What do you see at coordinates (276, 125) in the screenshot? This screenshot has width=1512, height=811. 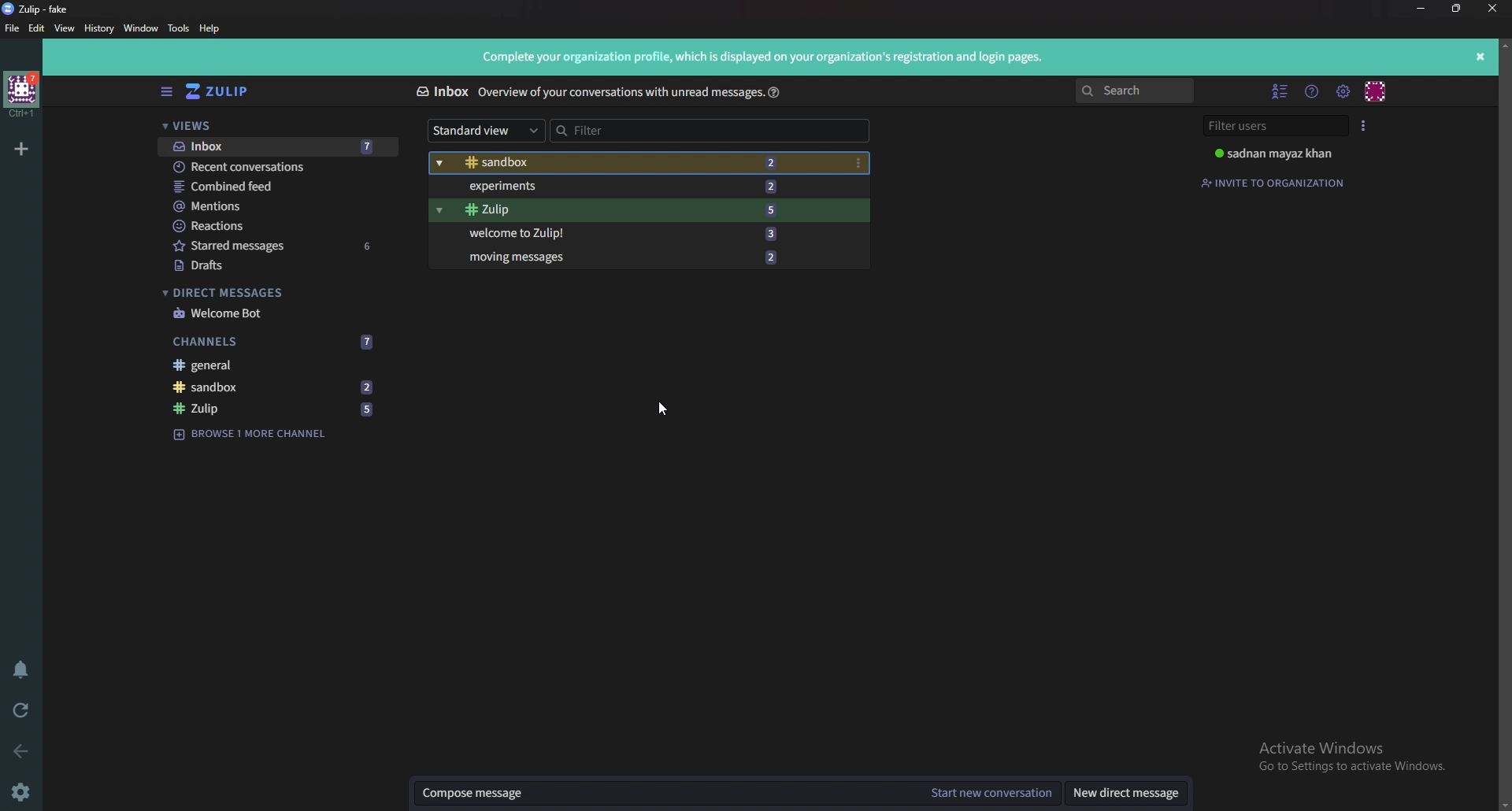 I see `Views` at bounding box center [276, 125].